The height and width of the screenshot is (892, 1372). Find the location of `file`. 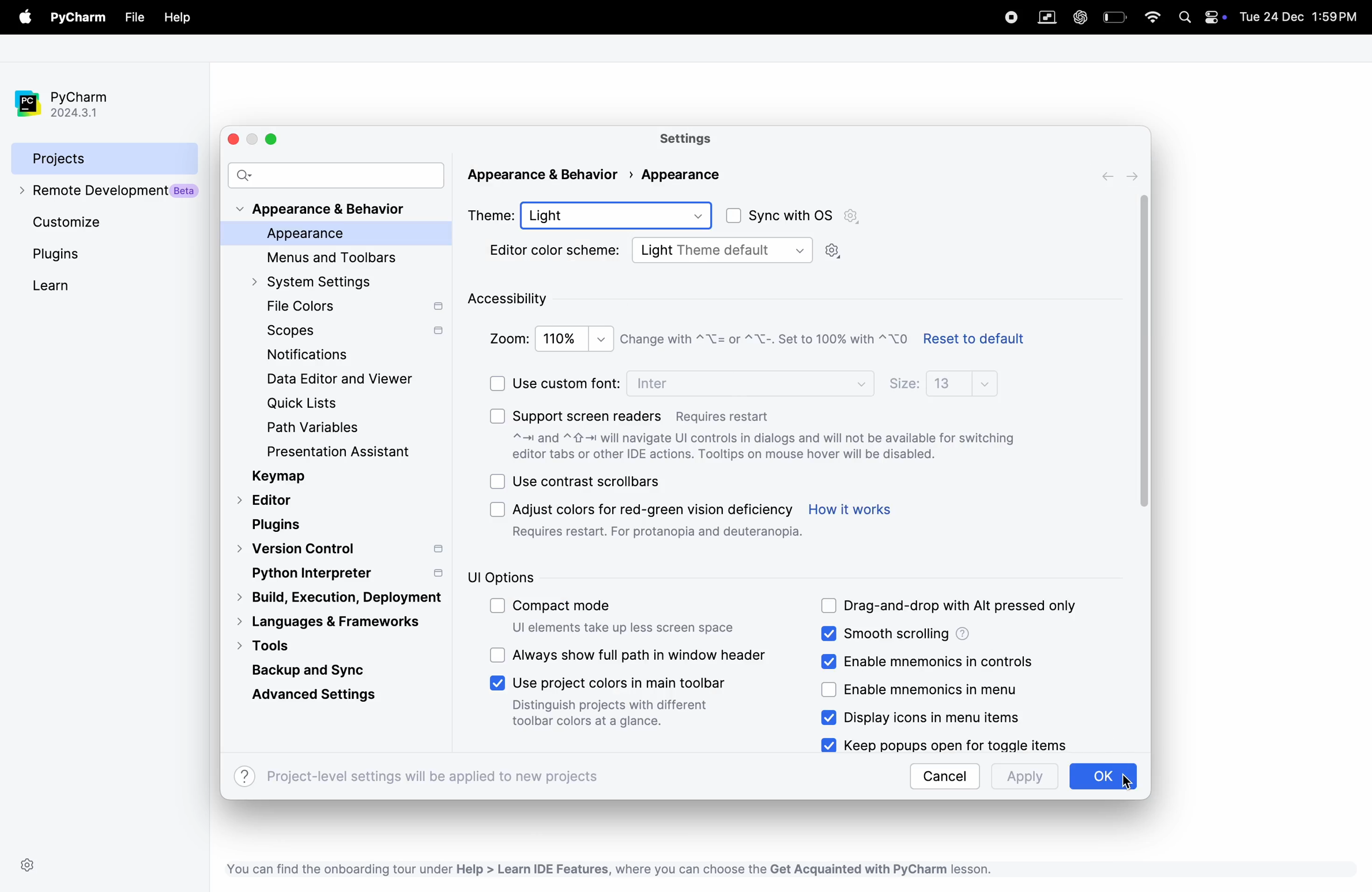

file is located at coordinates (135, 17).